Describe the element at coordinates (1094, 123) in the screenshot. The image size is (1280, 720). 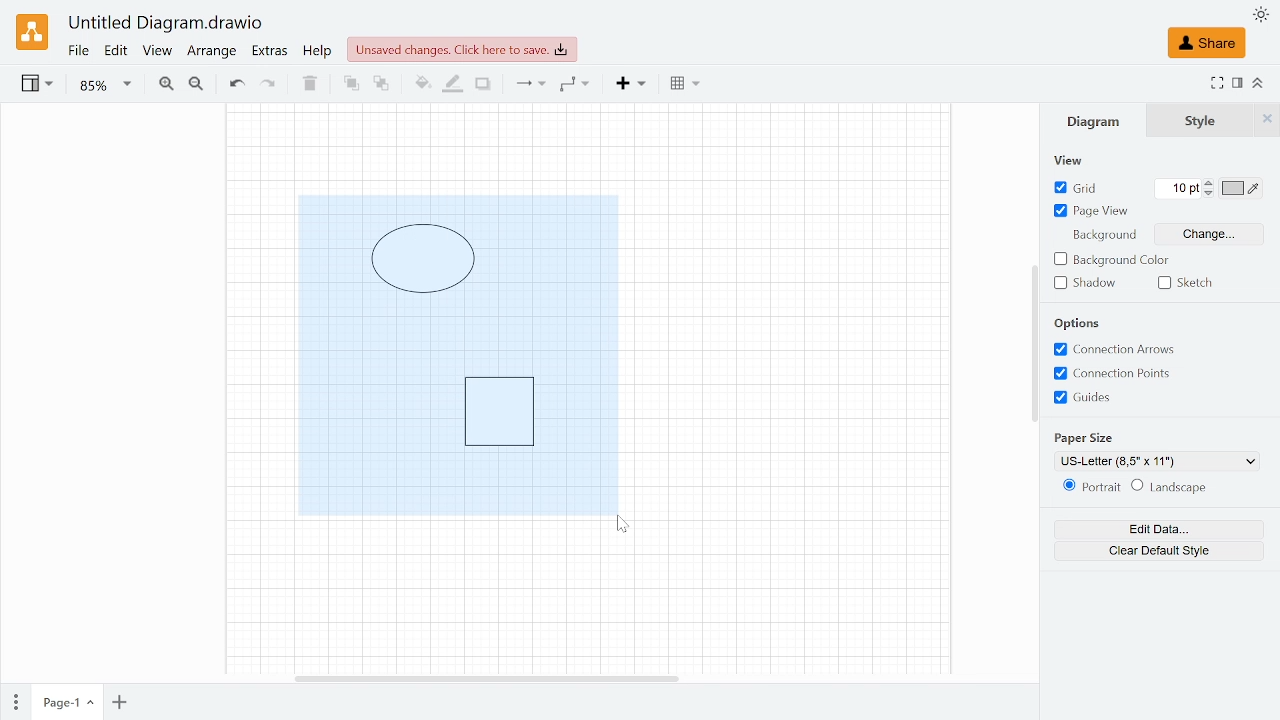
I see `` at that location.